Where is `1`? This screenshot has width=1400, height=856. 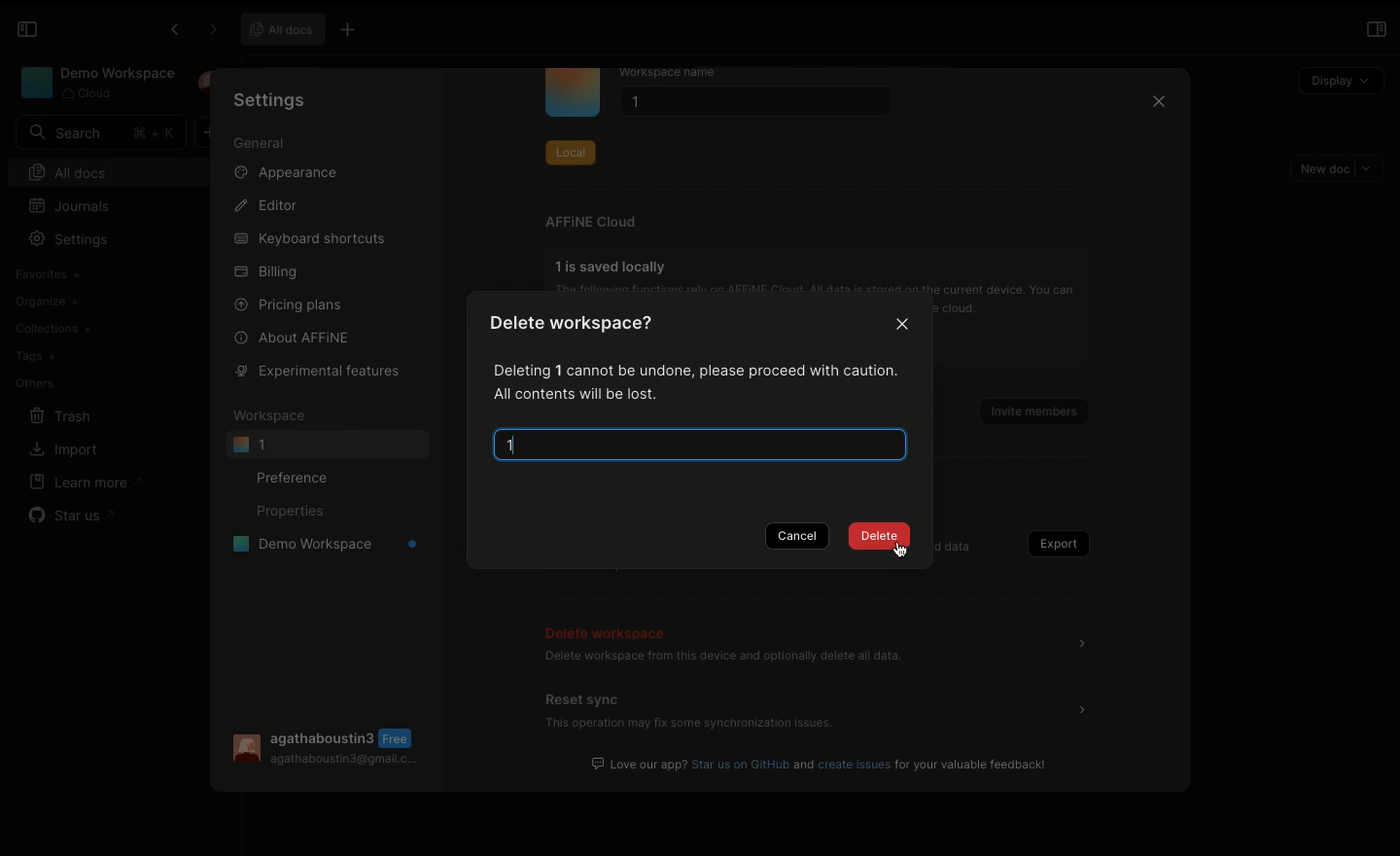 1 is located at coordinates (528, 448).